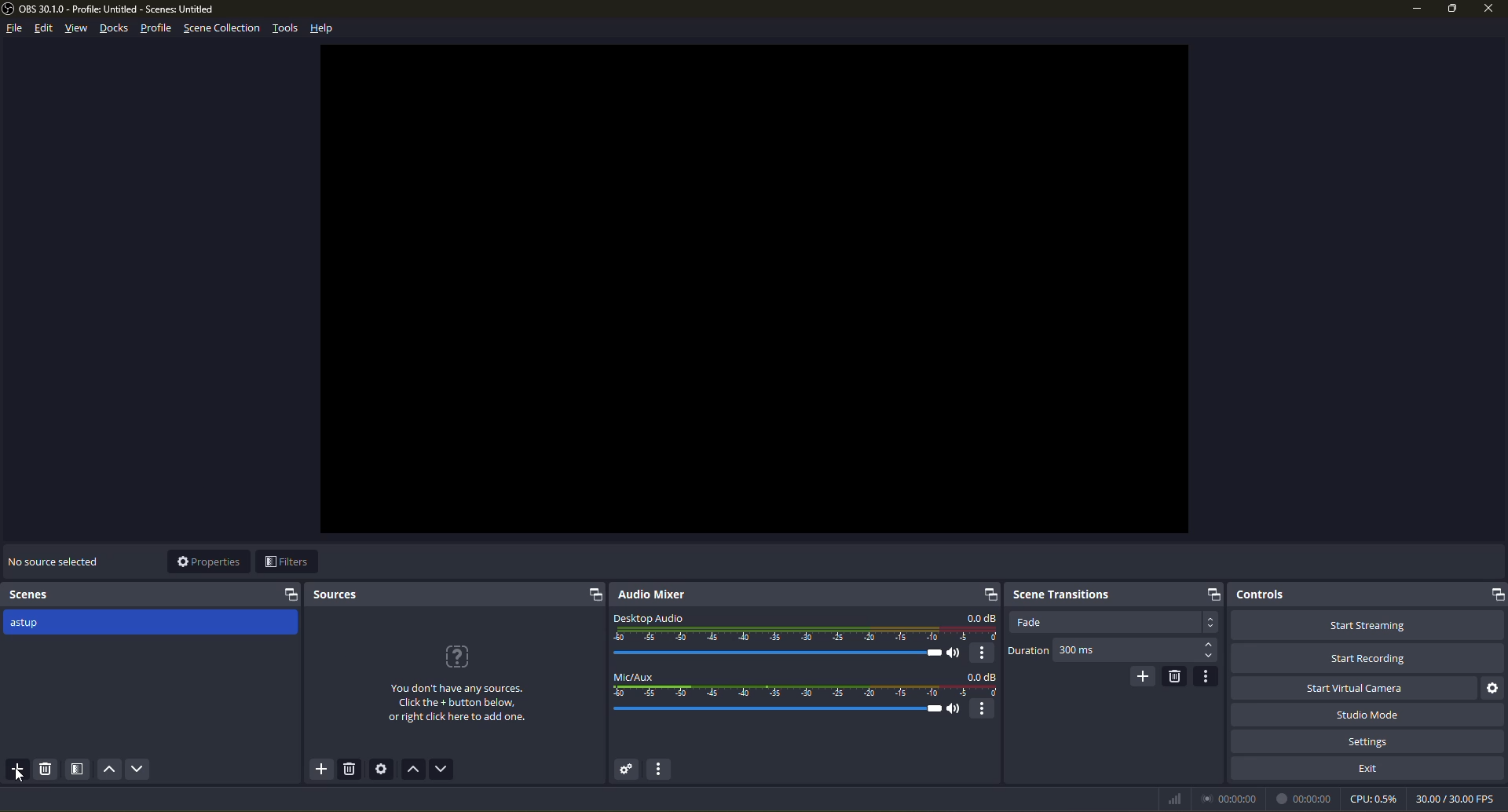 This screenshot has height=812, width=1508. Describe the element at coordinates (981, 676) in the screenshot. I see `db` at that location.